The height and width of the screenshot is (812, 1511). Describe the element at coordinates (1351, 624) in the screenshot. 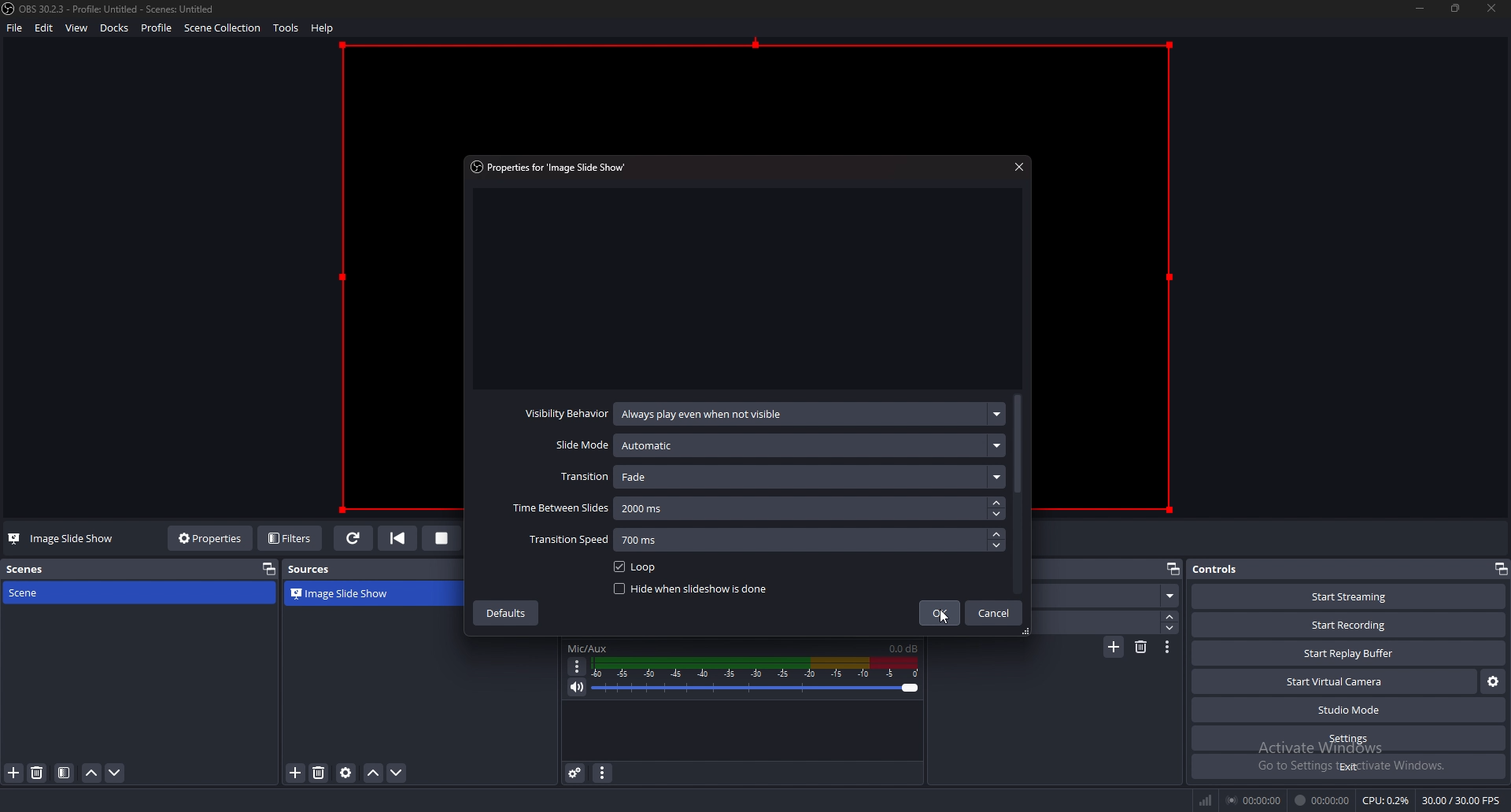

I see `start recording` at that location.